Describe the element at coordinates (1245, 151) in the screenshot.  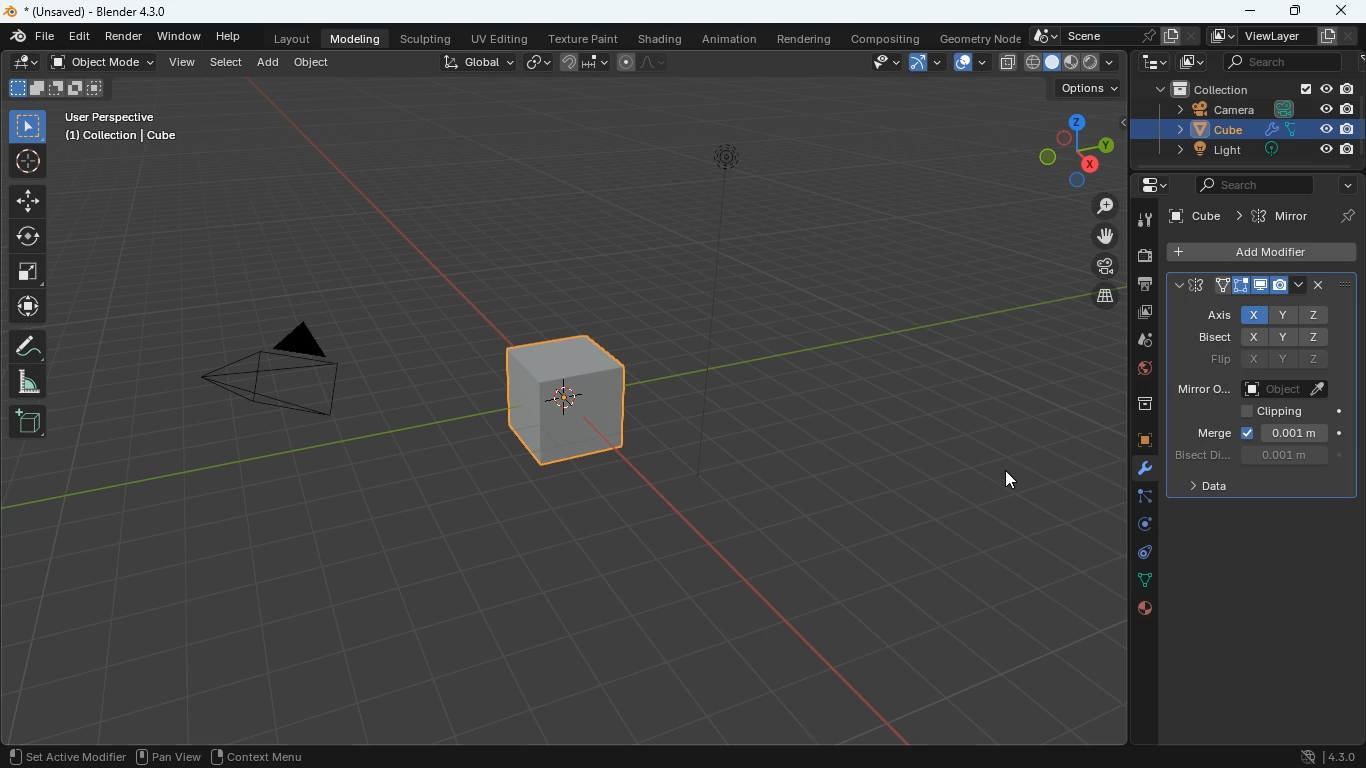
I see `light` at that location.